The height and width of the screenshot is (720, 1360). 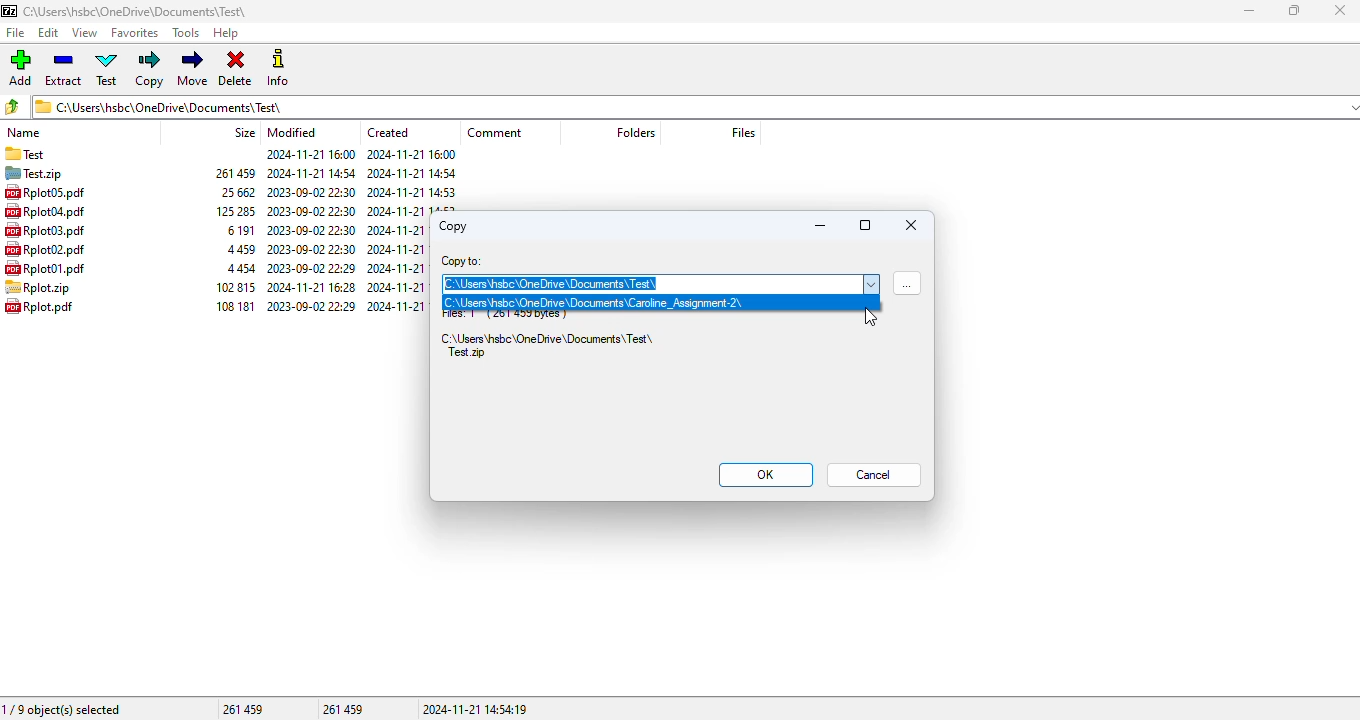 I want to click on C:\Users\hsbc\OneDrive\Documents\Caroline_Assignments-2\, so click(x=596, y=302).